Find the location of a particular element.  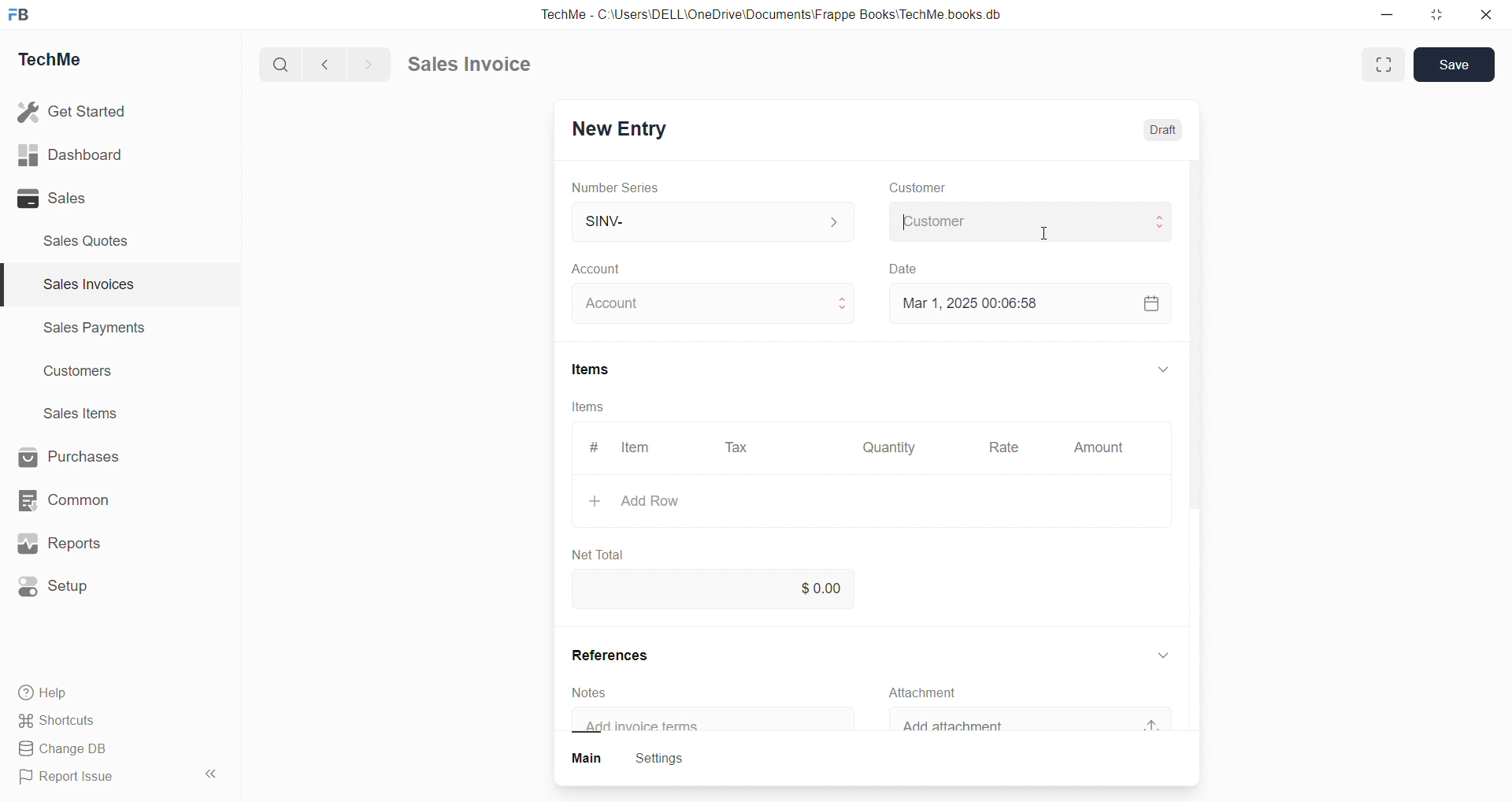

Dropdoe is located at coordinates (1169, 652).